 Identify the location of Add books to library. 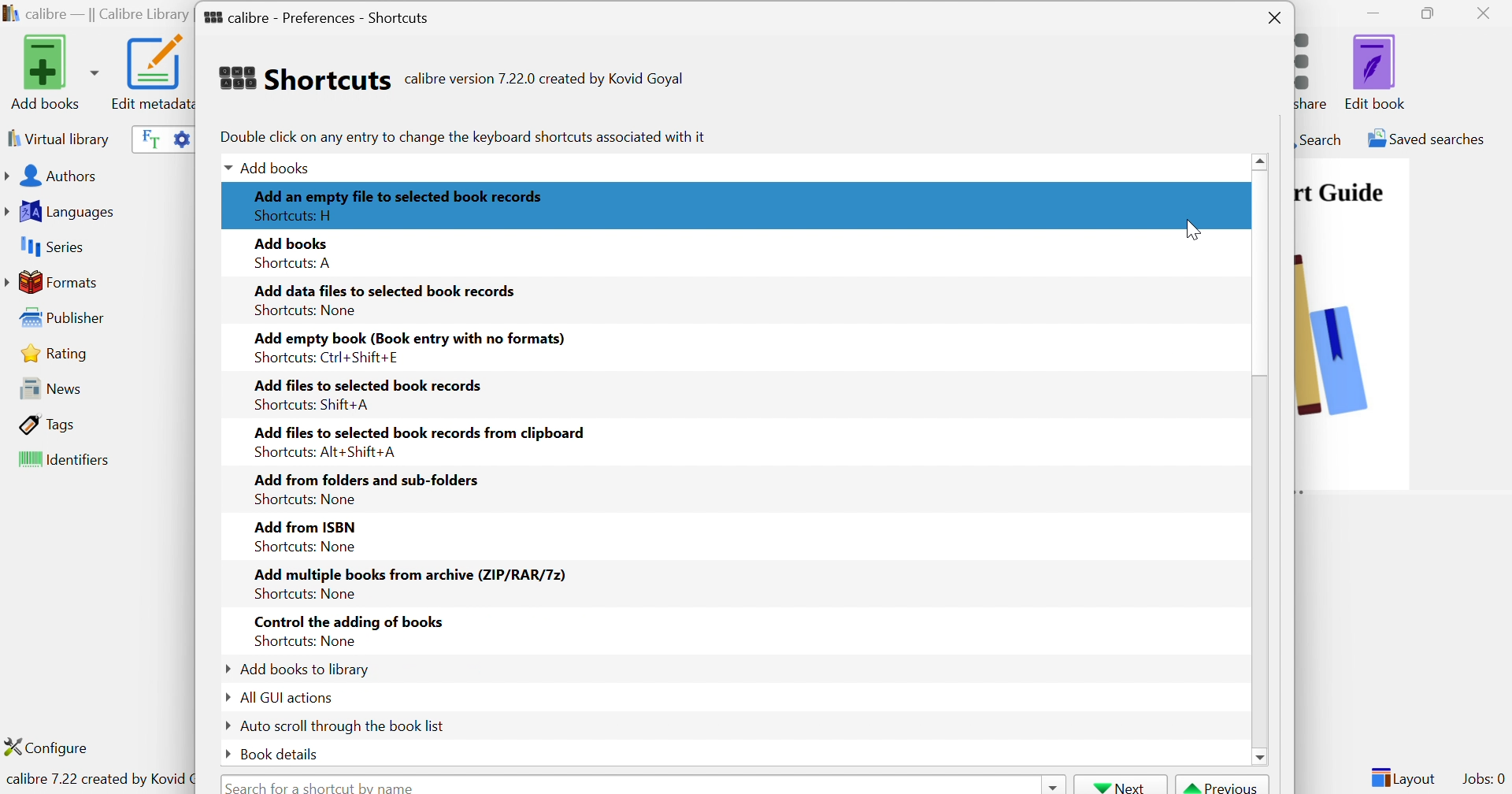
(307, 670).